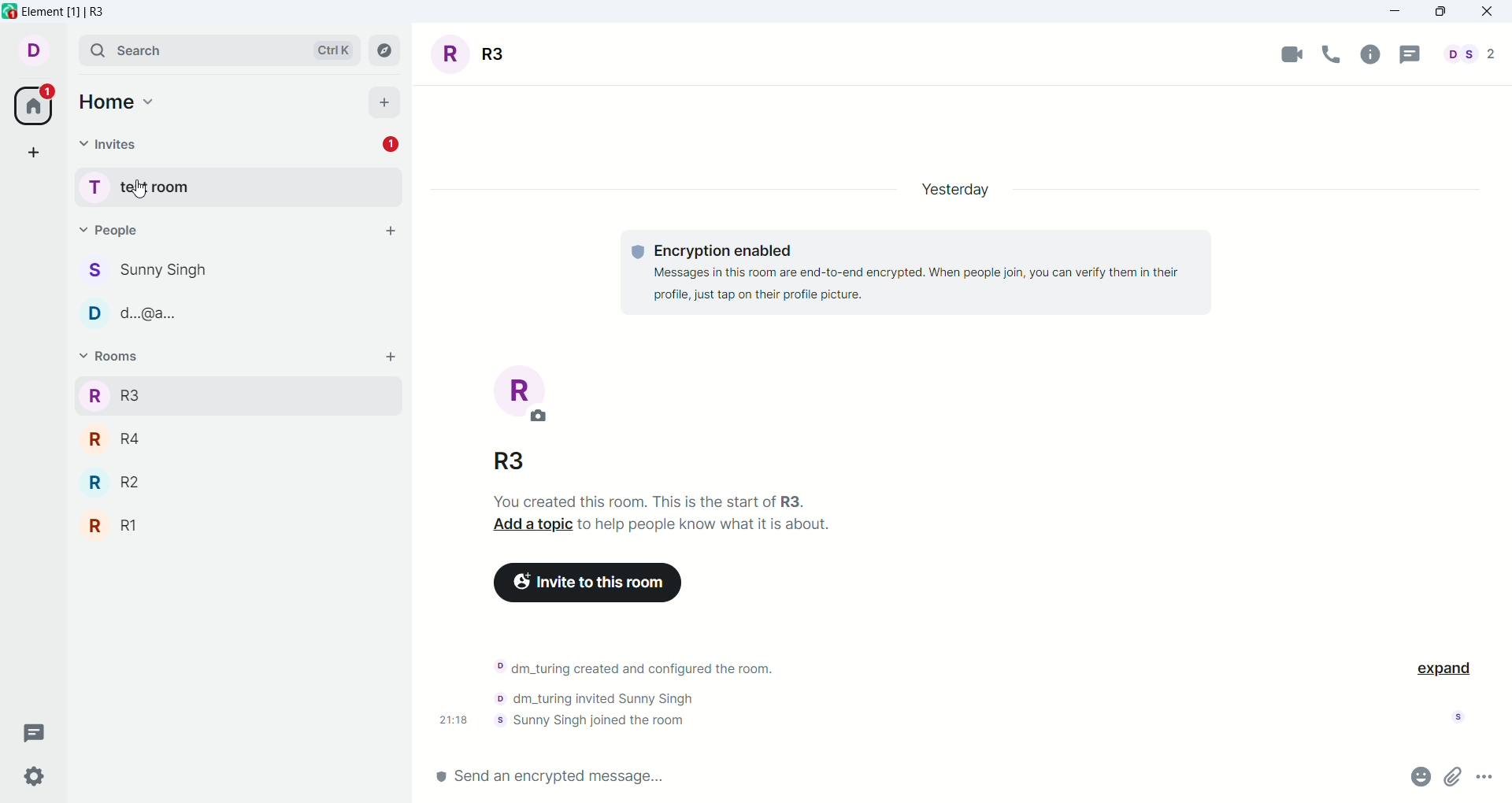 The height and width of the screenshot is (803, 1512). I want to click on add, so click(391, 232).